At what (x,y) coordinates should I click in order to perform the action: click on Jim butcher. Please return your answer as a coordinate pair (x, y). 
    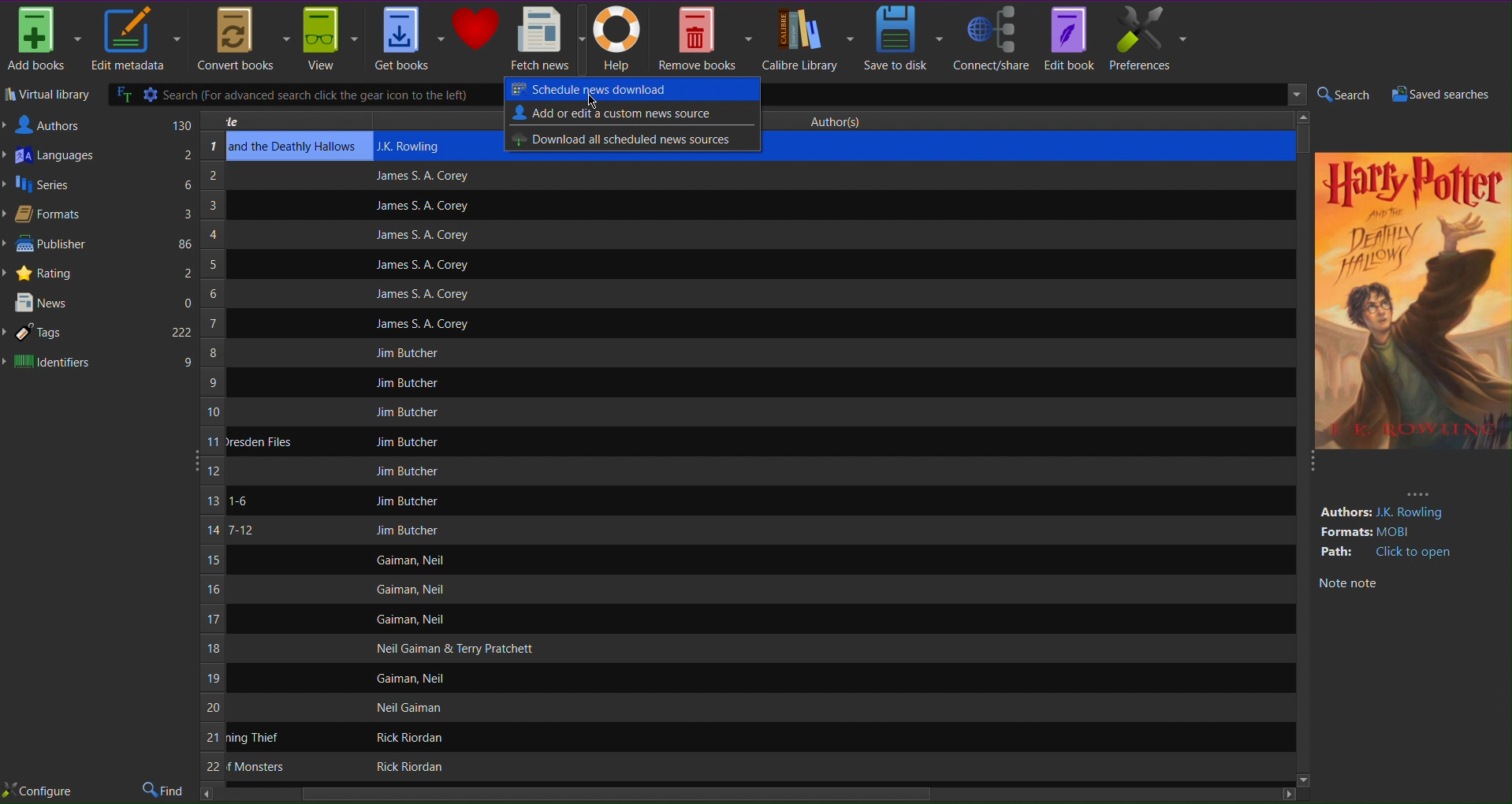
    Looking at the image, I should click on (411, 352).